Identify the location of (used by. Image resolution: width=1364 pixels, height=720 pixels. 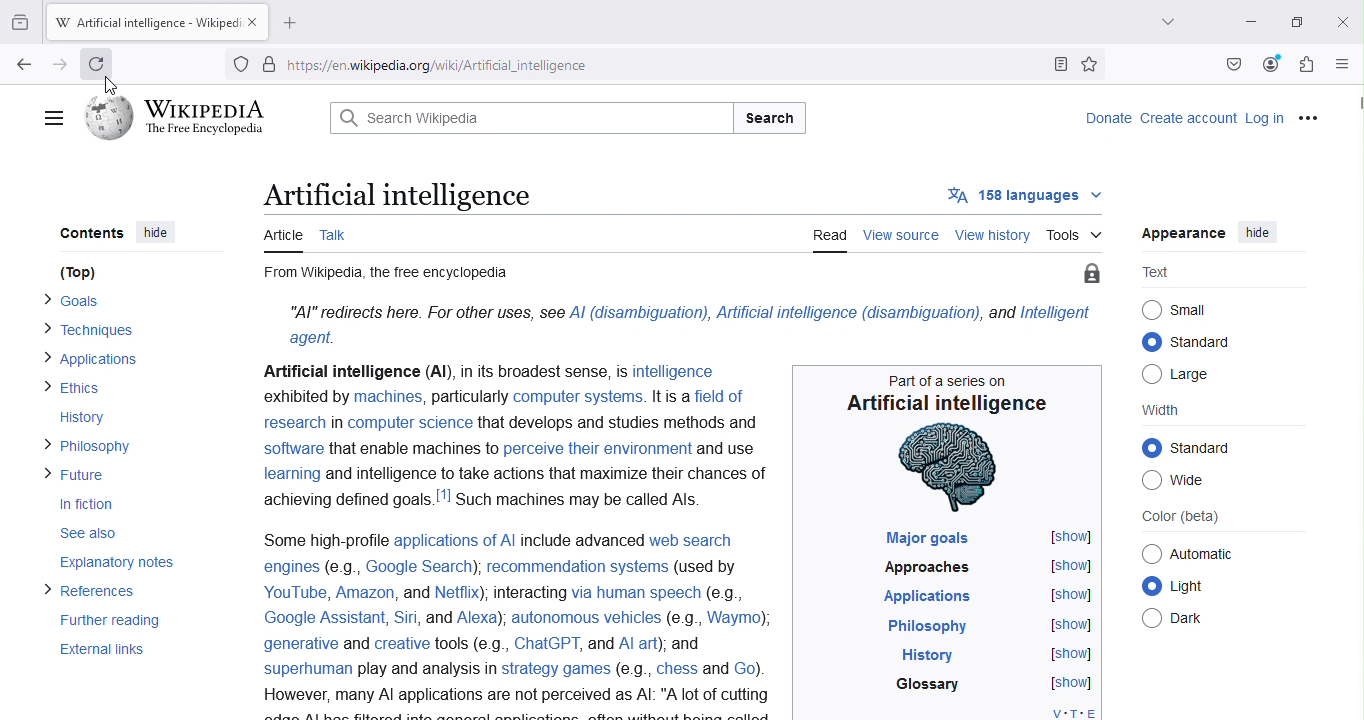
(707, 568).